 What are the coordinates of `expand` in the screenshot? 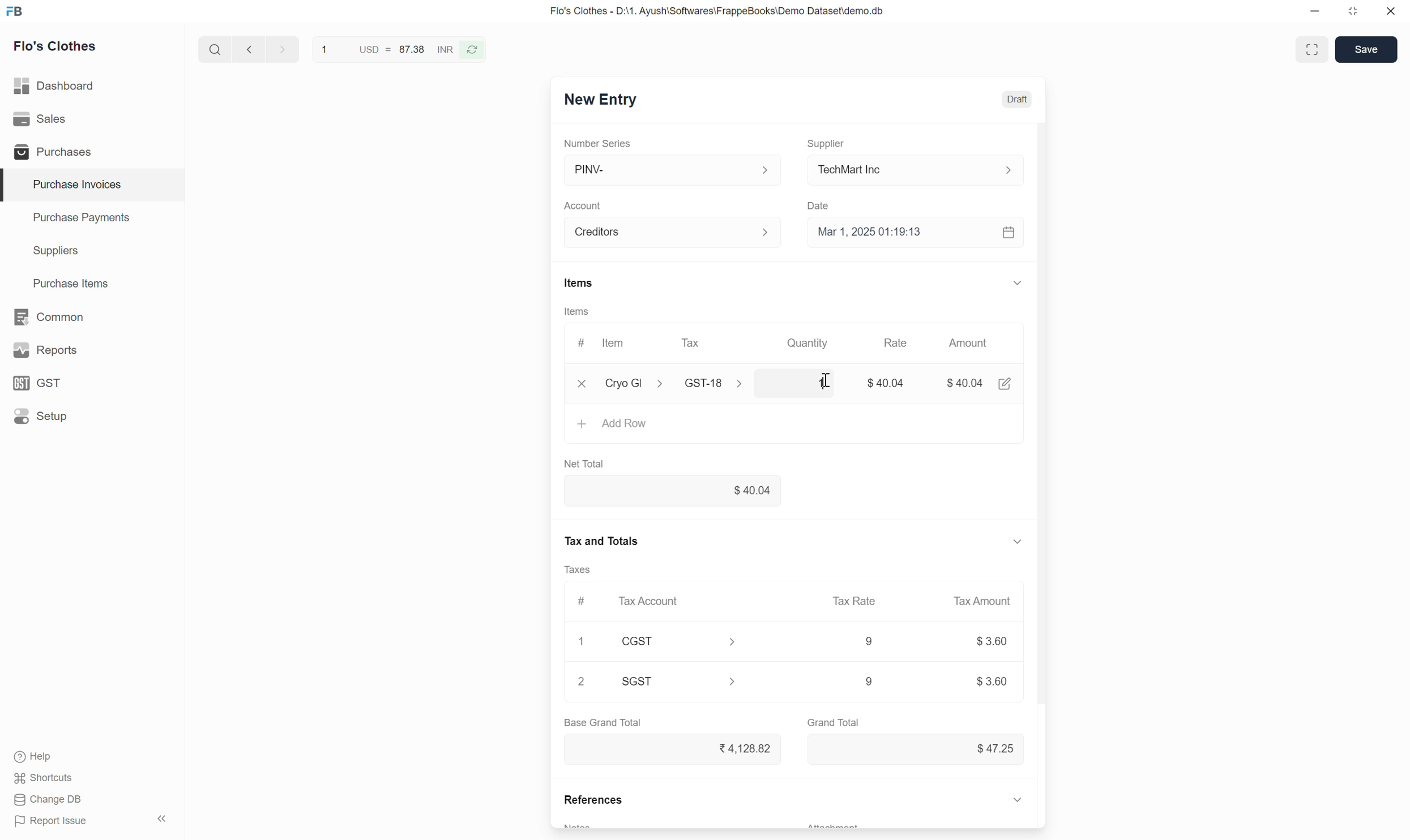 It's located at (1014, 541).